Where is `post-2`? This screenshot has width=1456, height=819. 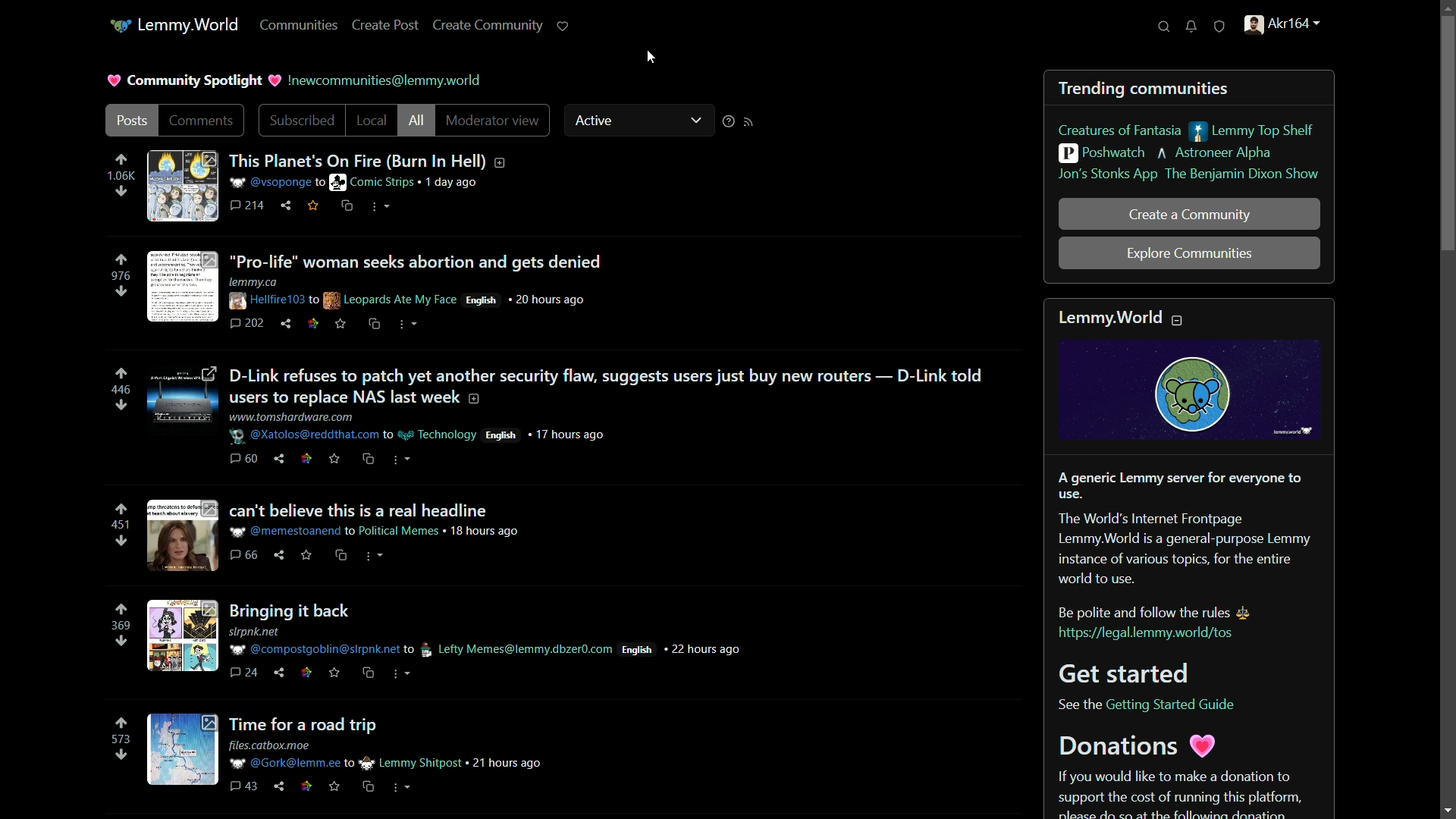
post-2 is located at coordinates (378, 289).